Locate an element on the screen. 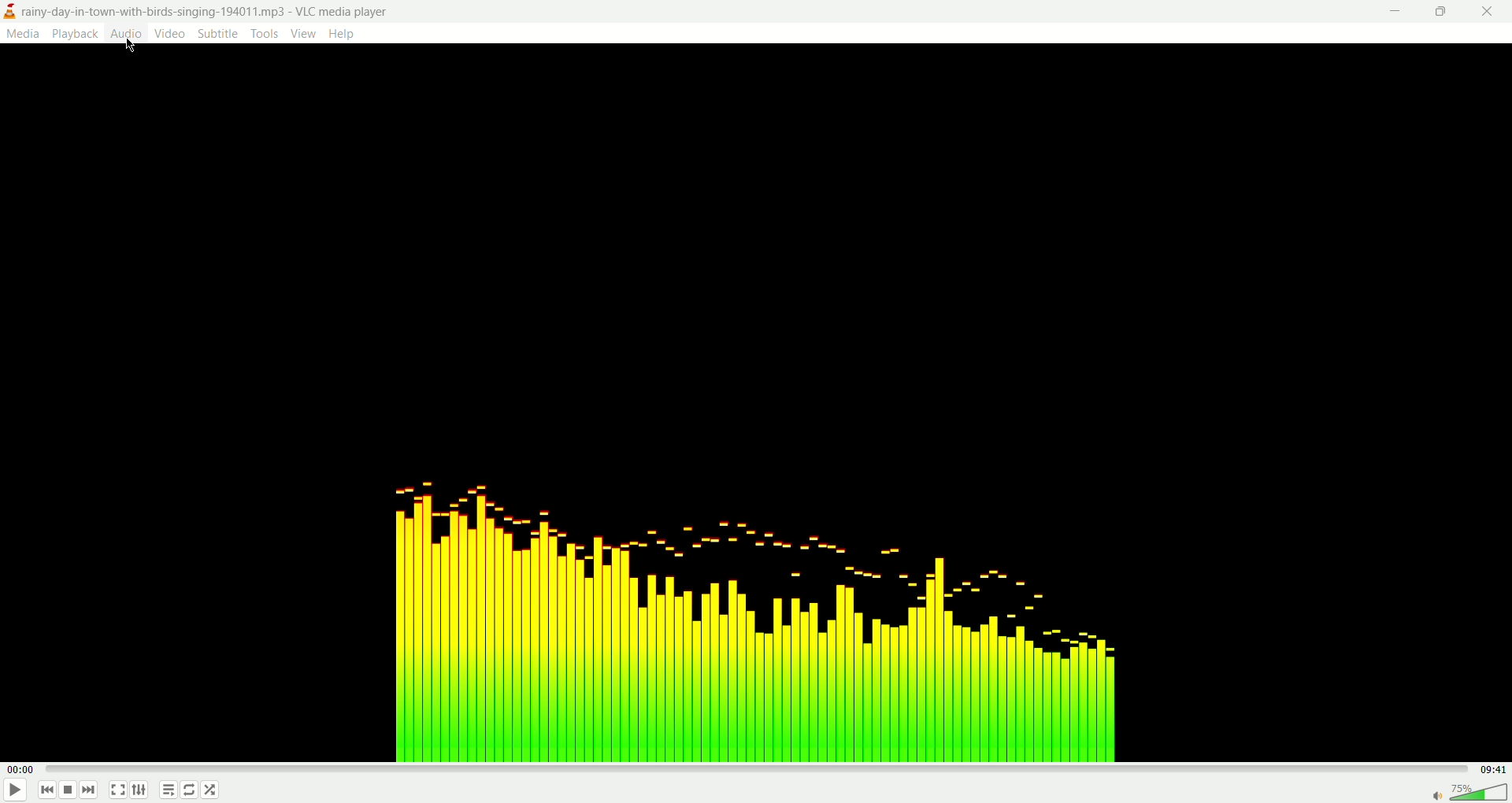  next is located at coordinates (89, 790).